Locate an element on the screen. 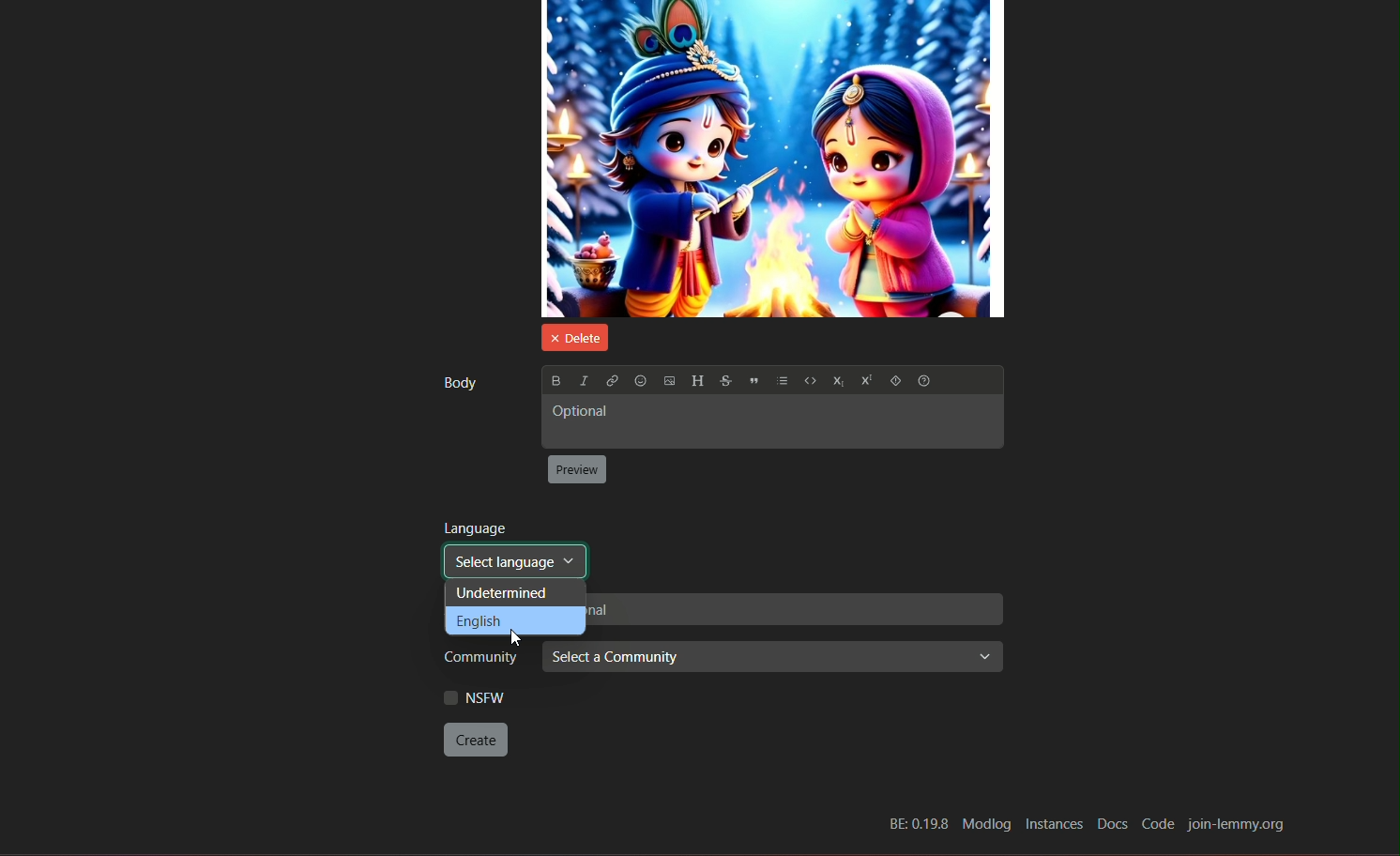 This screenshot has width=1400, height=856. undetermined is located at coordinates (515, 593).